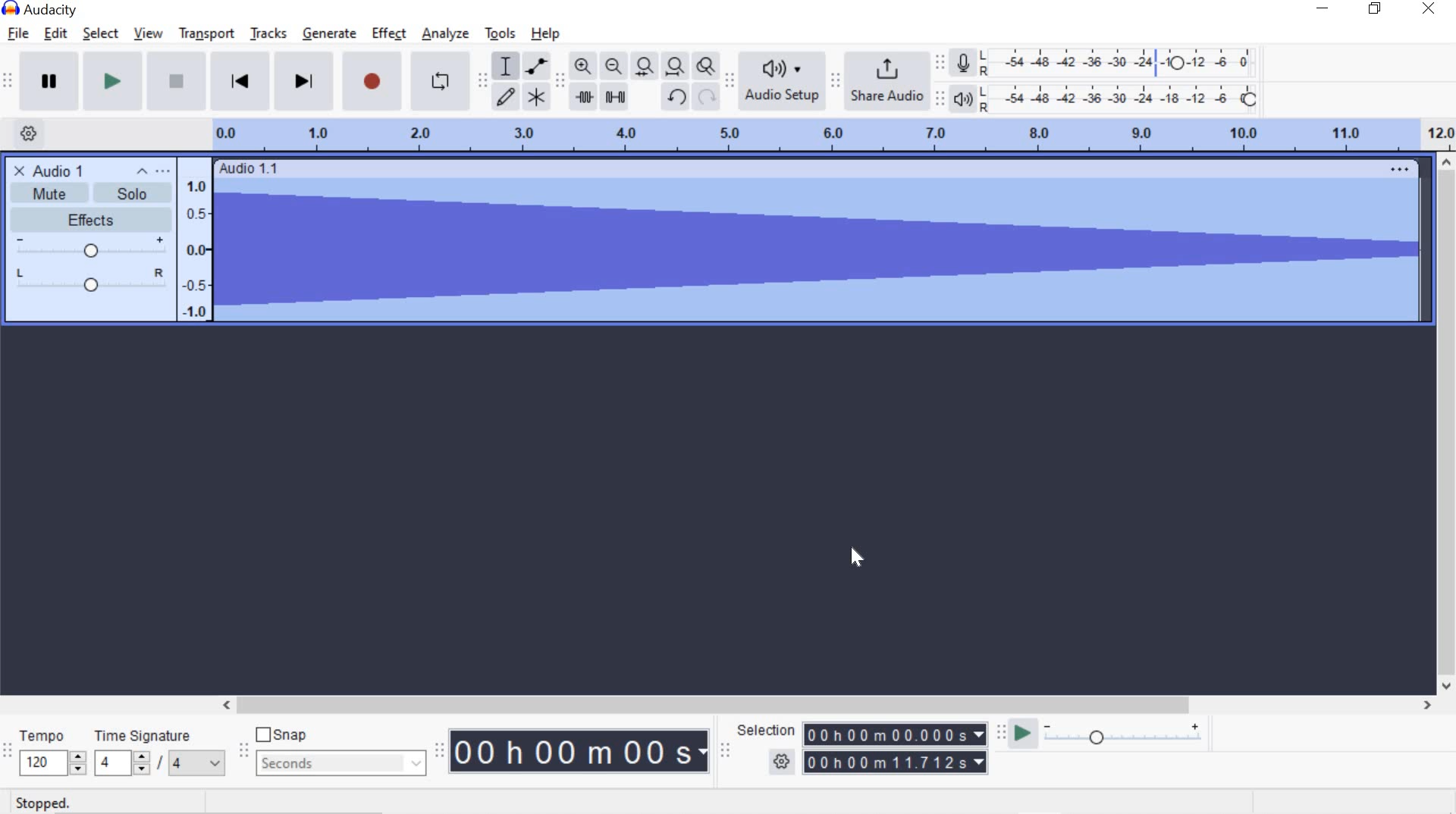 The width and height of the screenshot is (1456, 814). What do you see at coordinates (727, 81) in the screenshot?
I see `Audio setup toolbar` at bounding box center [727, 81].